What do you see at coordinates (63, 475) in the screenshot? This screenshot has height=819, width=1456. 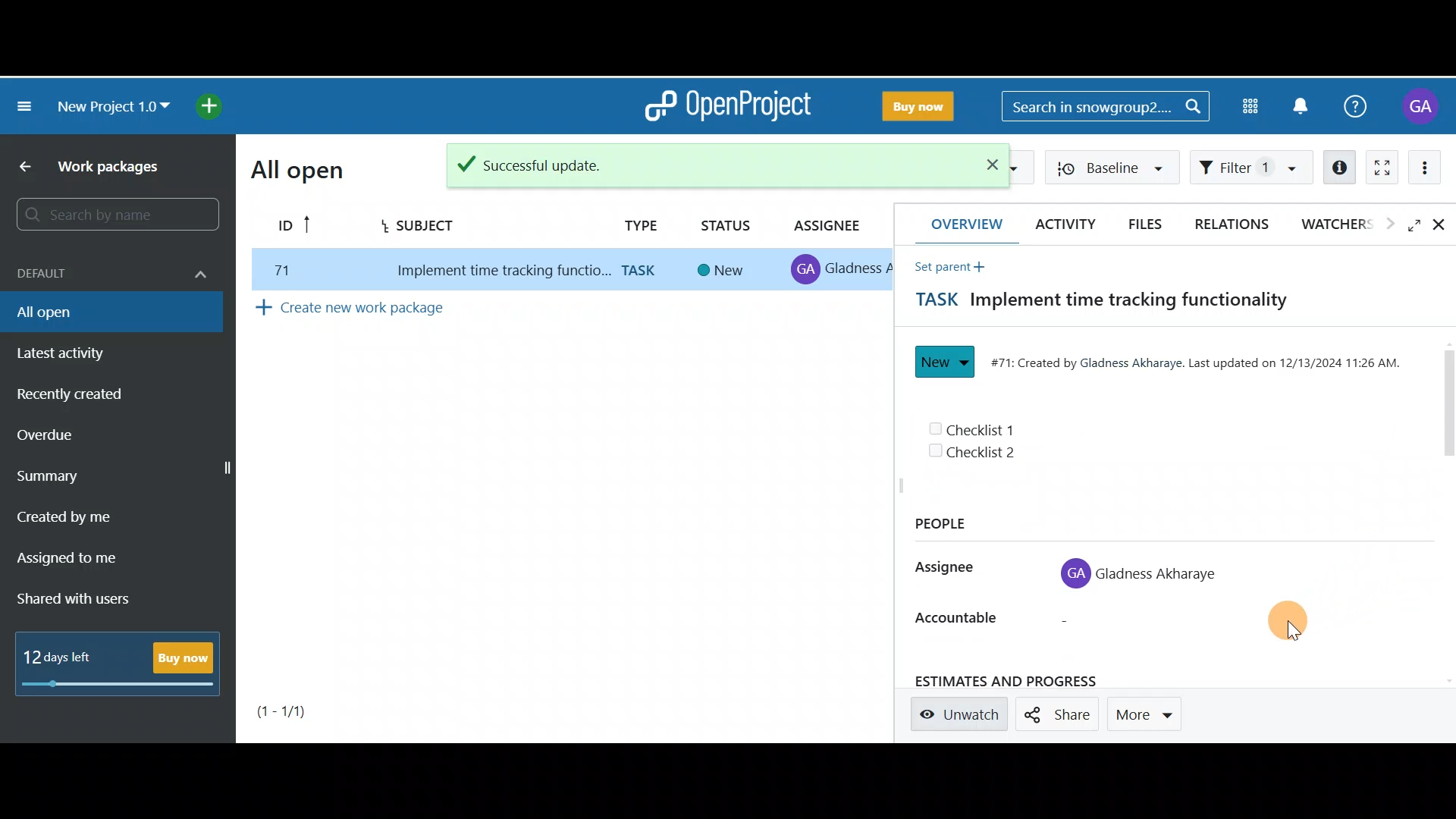 I see `Summary` at bounding box center [63, 475].